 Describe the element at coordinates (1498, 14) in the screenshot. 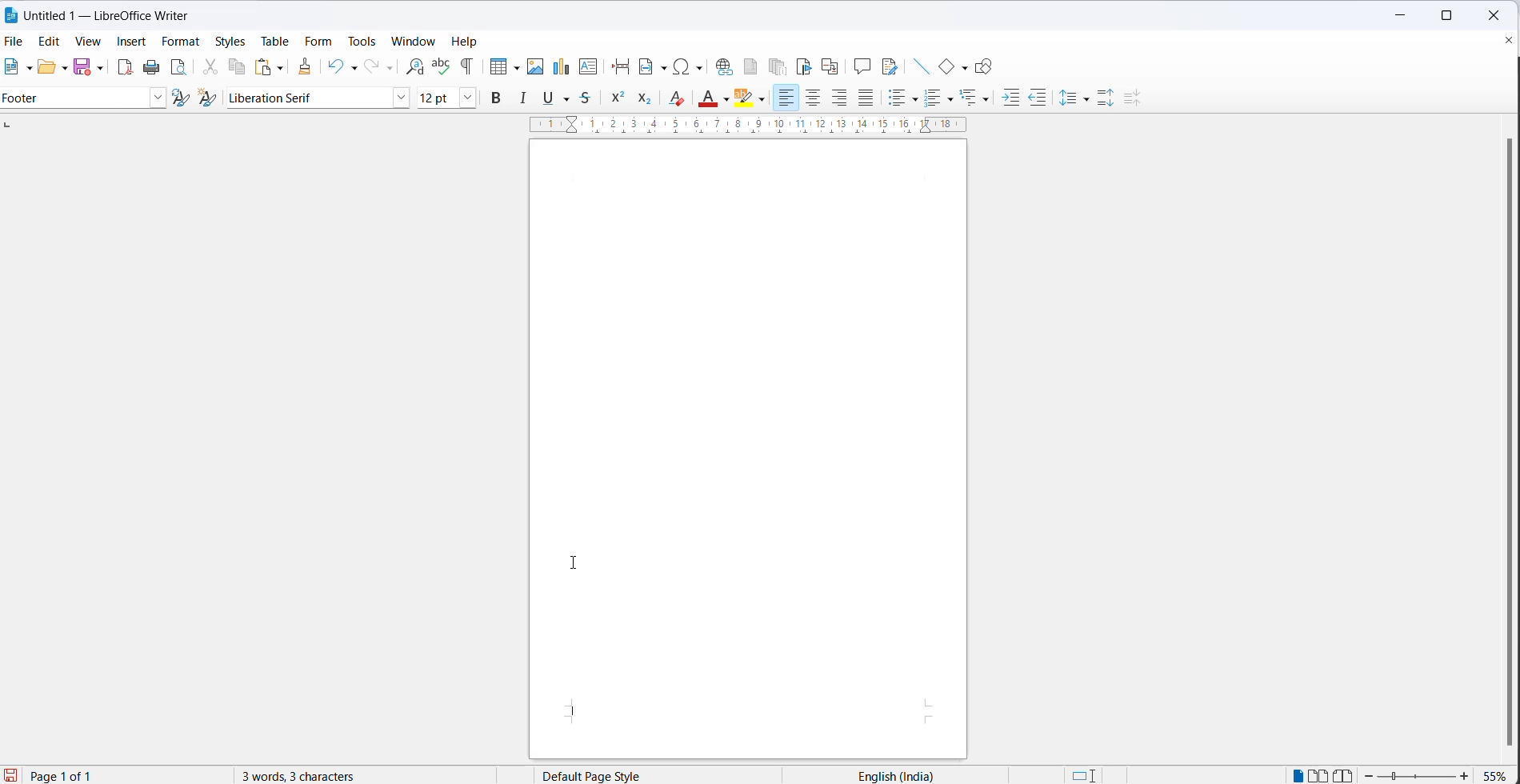

I see `close` at that location.